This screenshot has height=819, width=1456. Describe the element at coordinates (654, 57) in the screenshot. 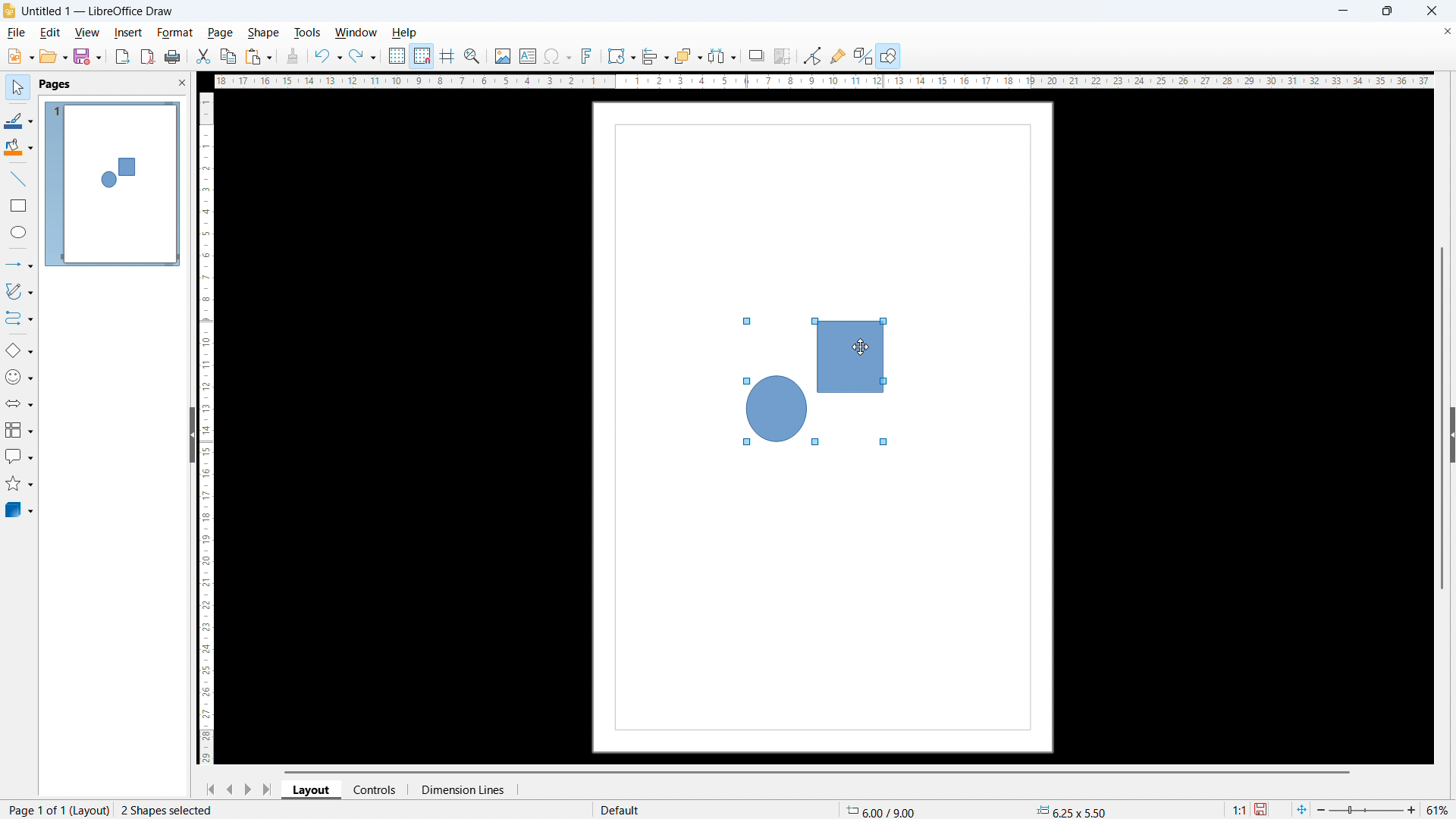

I see `align` at that location.